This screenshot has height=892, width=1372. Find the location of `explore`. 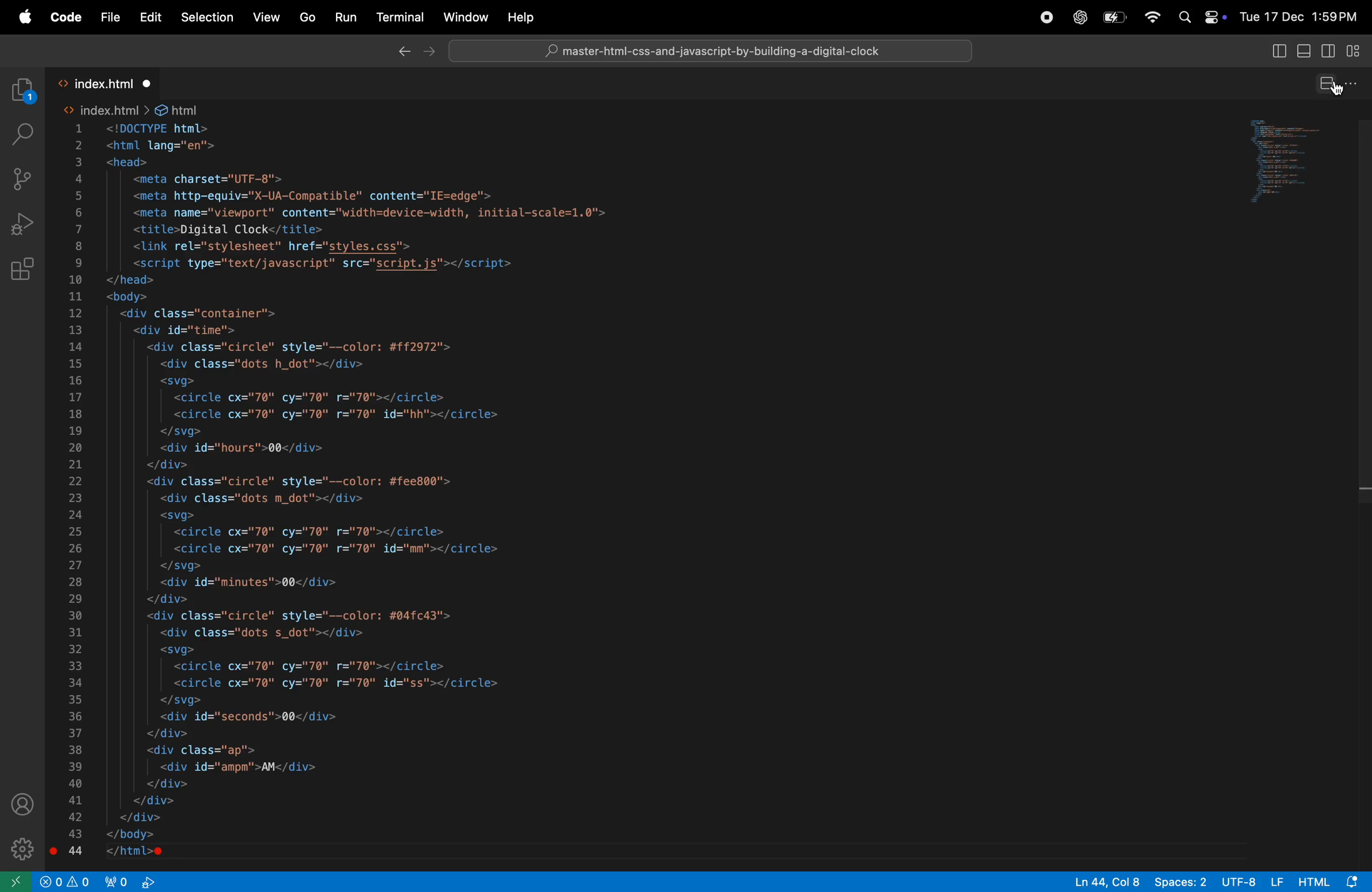

explore is located at coordinates (24, 89).